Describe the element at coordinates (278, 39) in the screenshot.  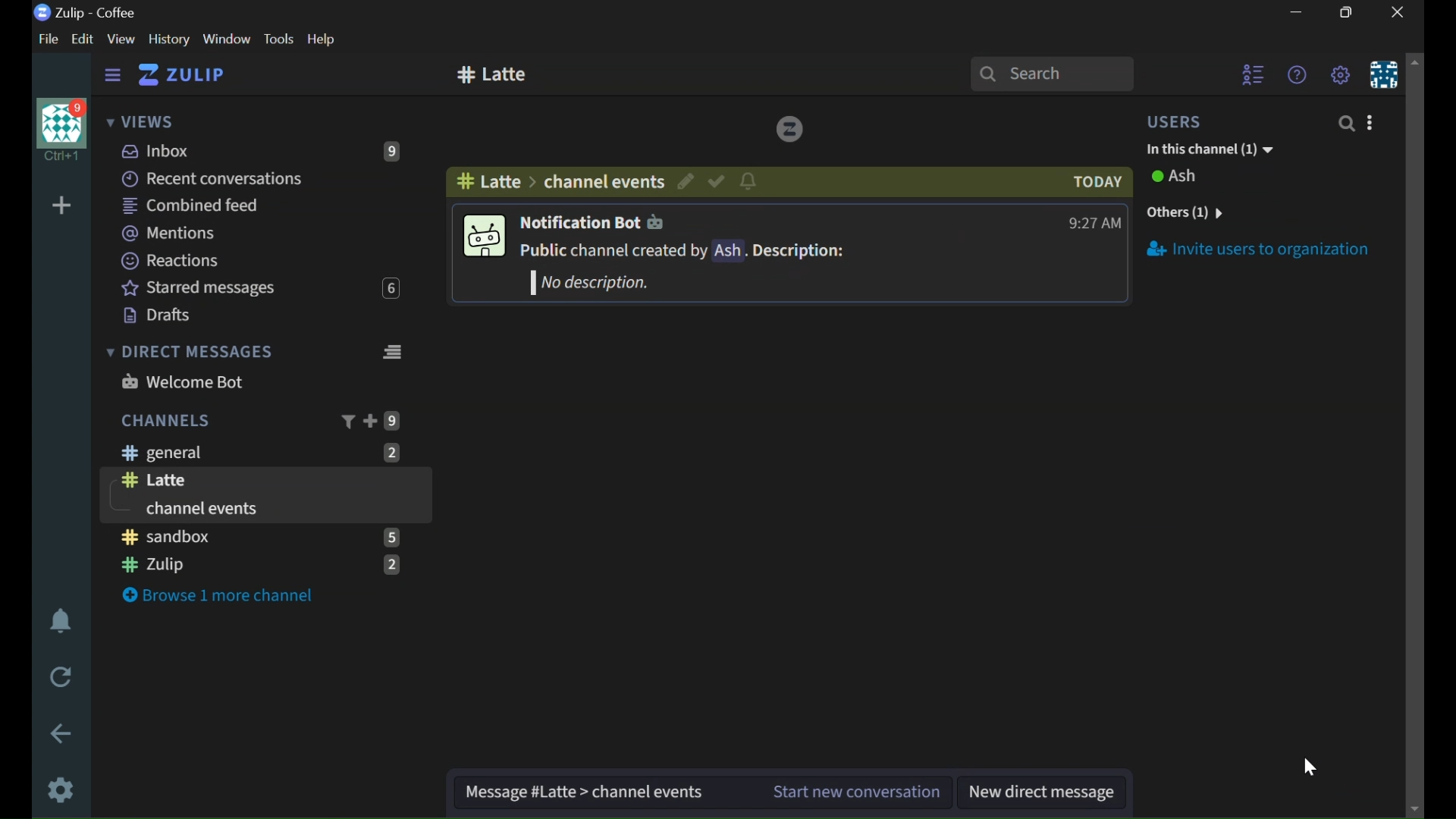
I see `TOOLS` at that location.